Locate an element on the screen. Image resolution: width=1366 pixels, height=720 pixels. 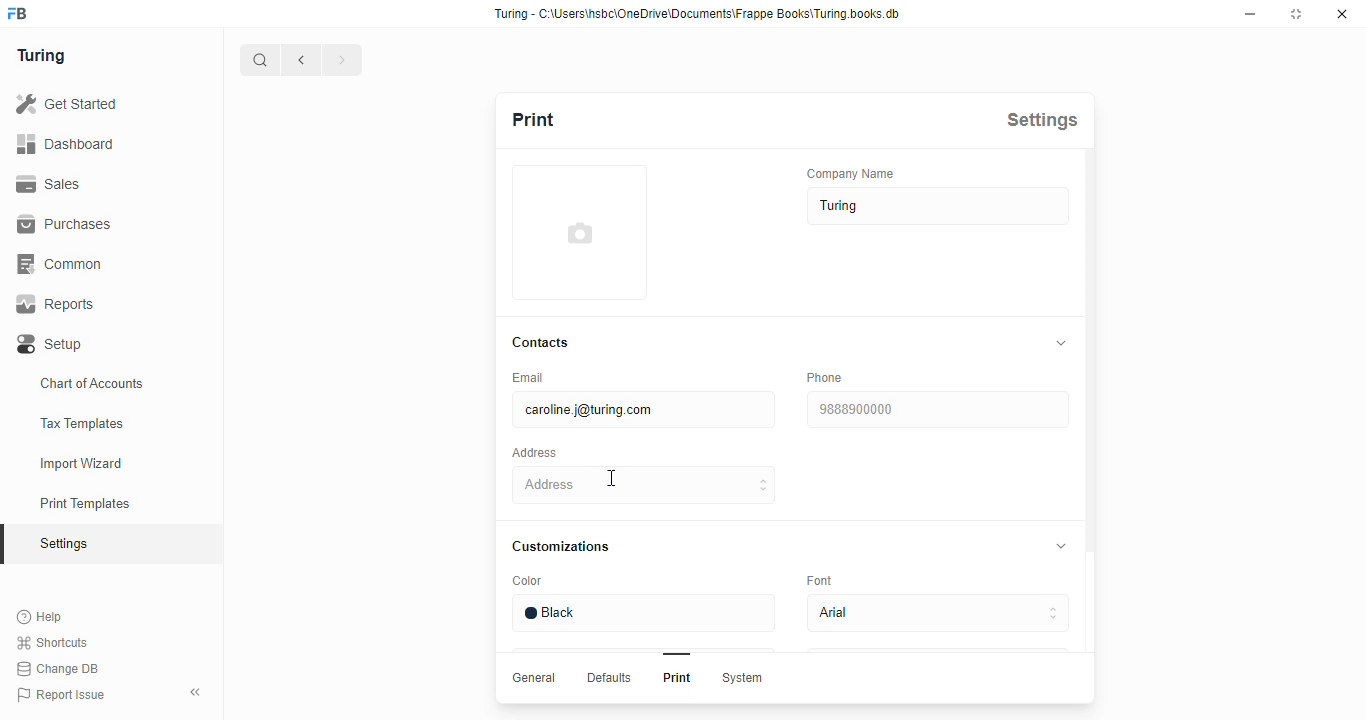
chart of accounts is located at coordinates (92, 383).